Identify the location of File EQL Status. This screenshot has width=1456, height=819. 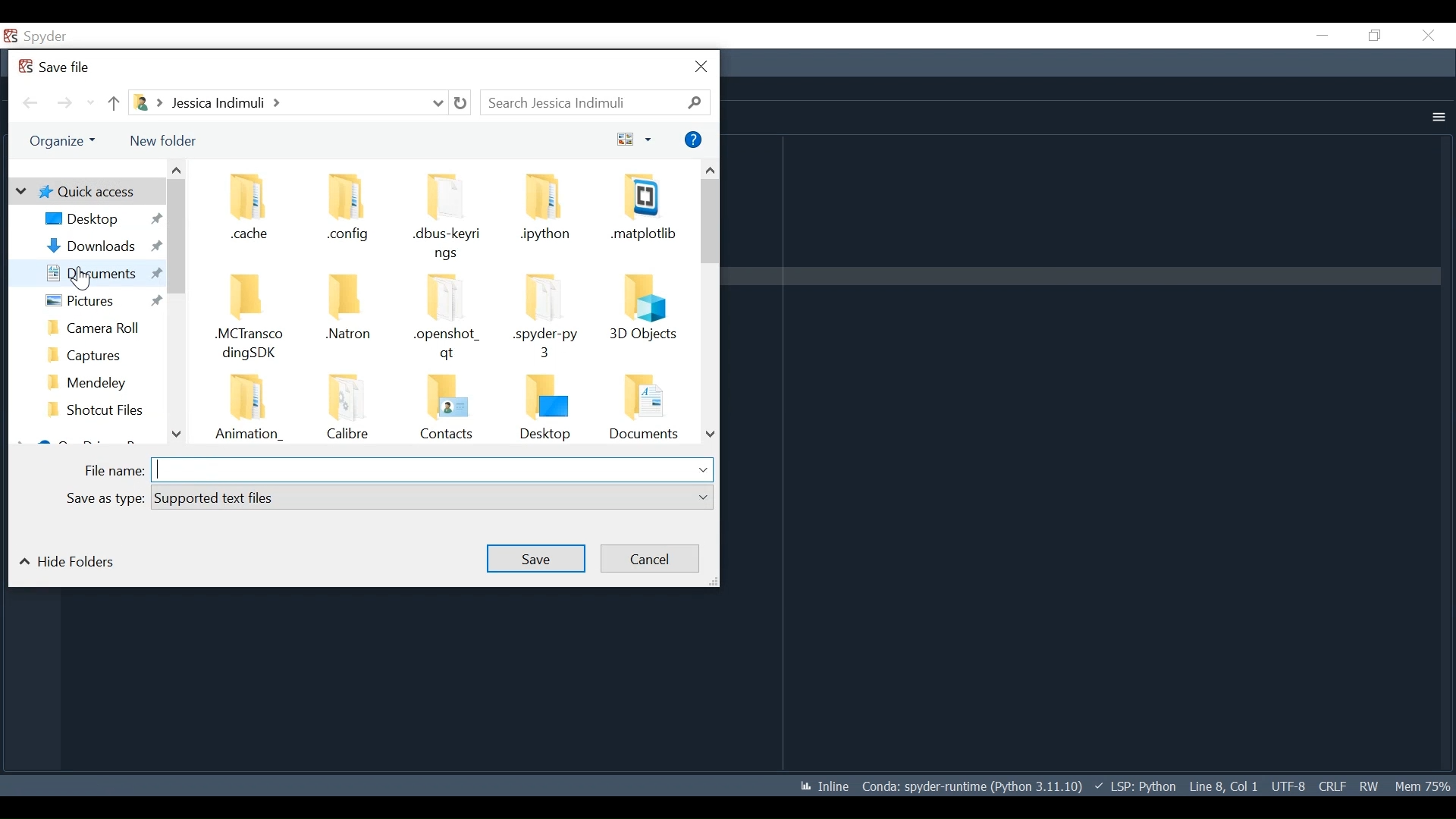
(1332, 786).